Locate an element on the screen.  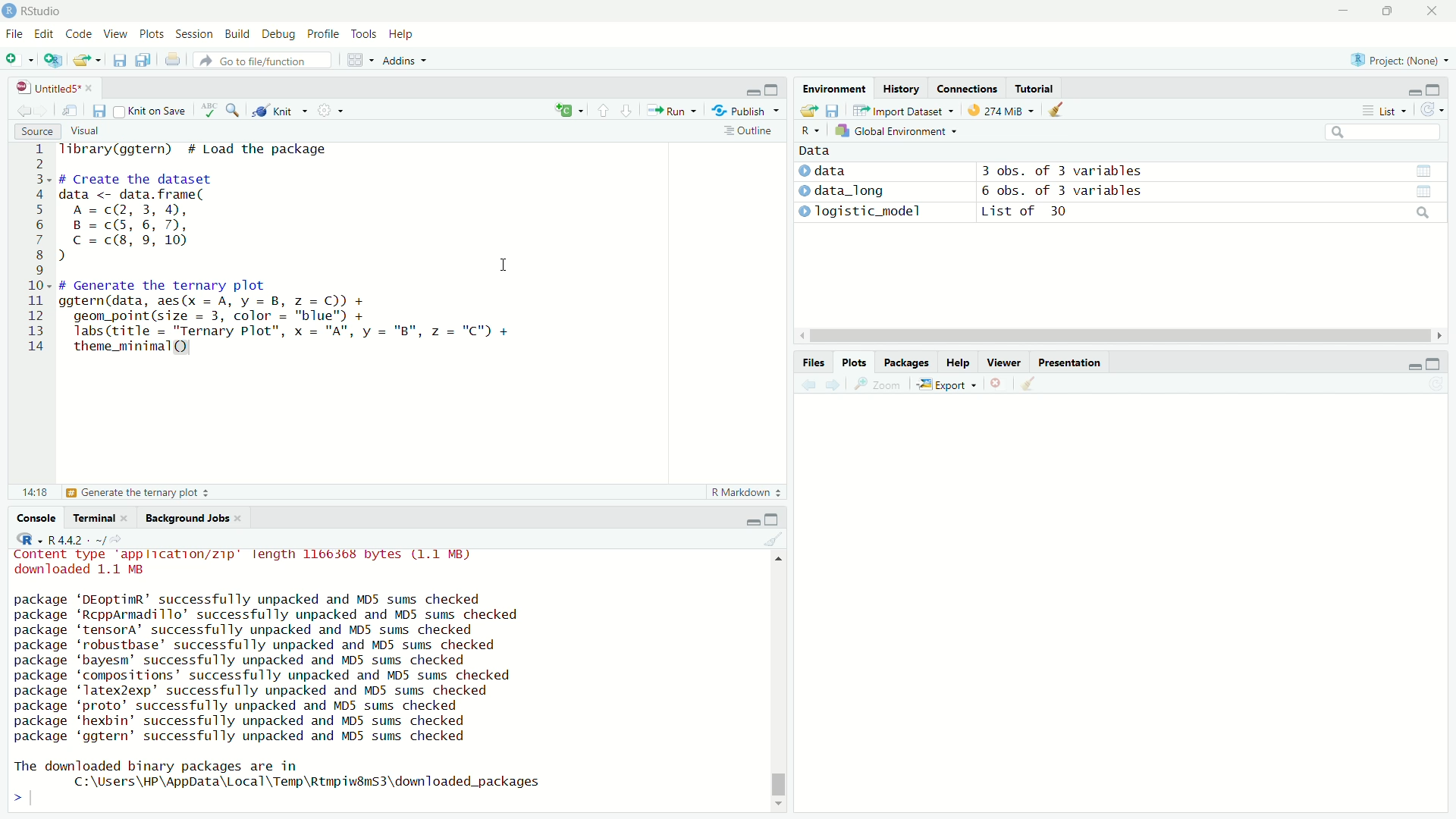
Addins ~ is located at coordinates (402, 61).